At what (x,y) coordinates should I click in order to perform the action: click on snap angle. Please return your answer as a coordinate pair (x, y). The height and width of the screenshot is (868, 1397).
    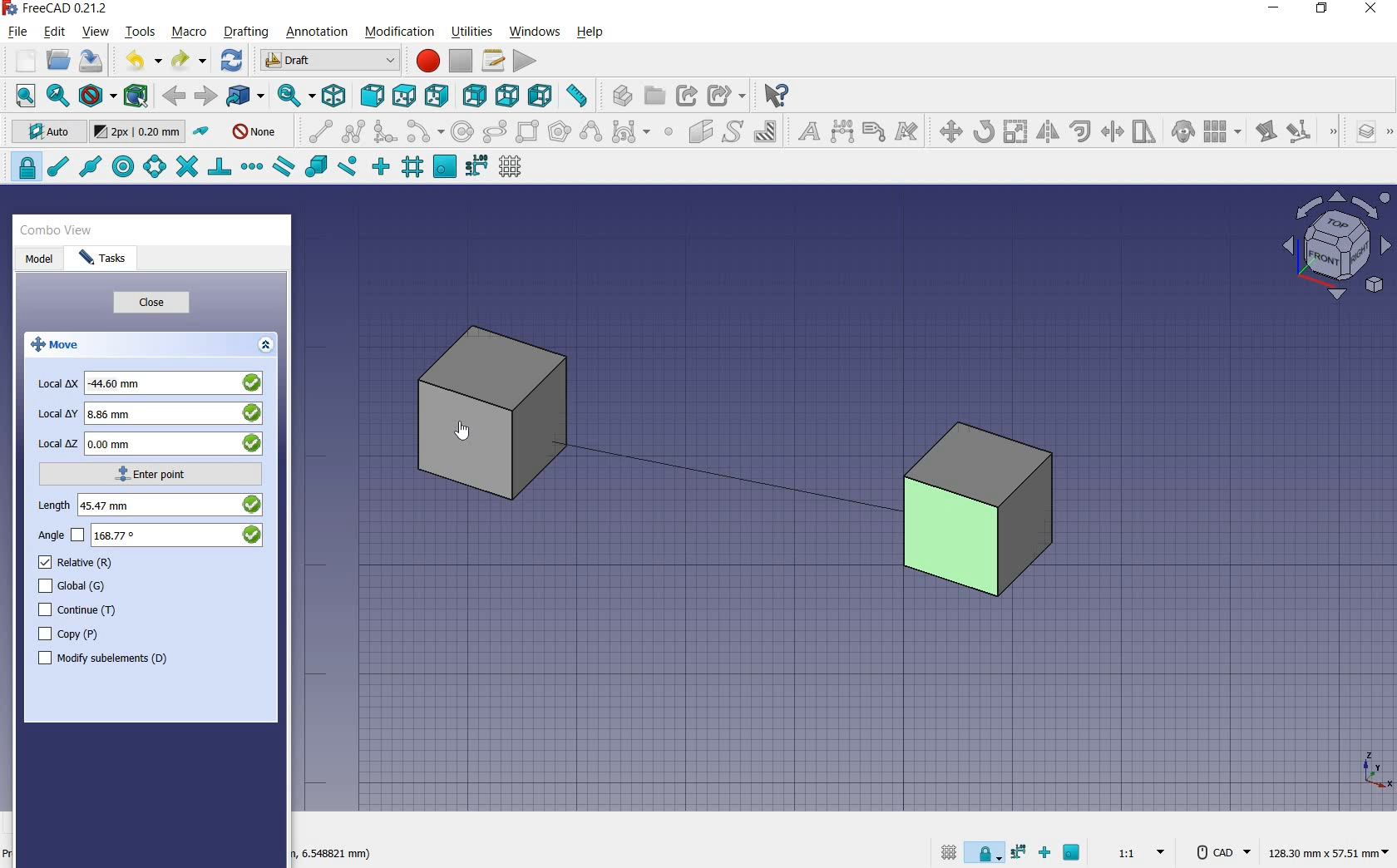
    Looking at the image, I should click on (154, 167).